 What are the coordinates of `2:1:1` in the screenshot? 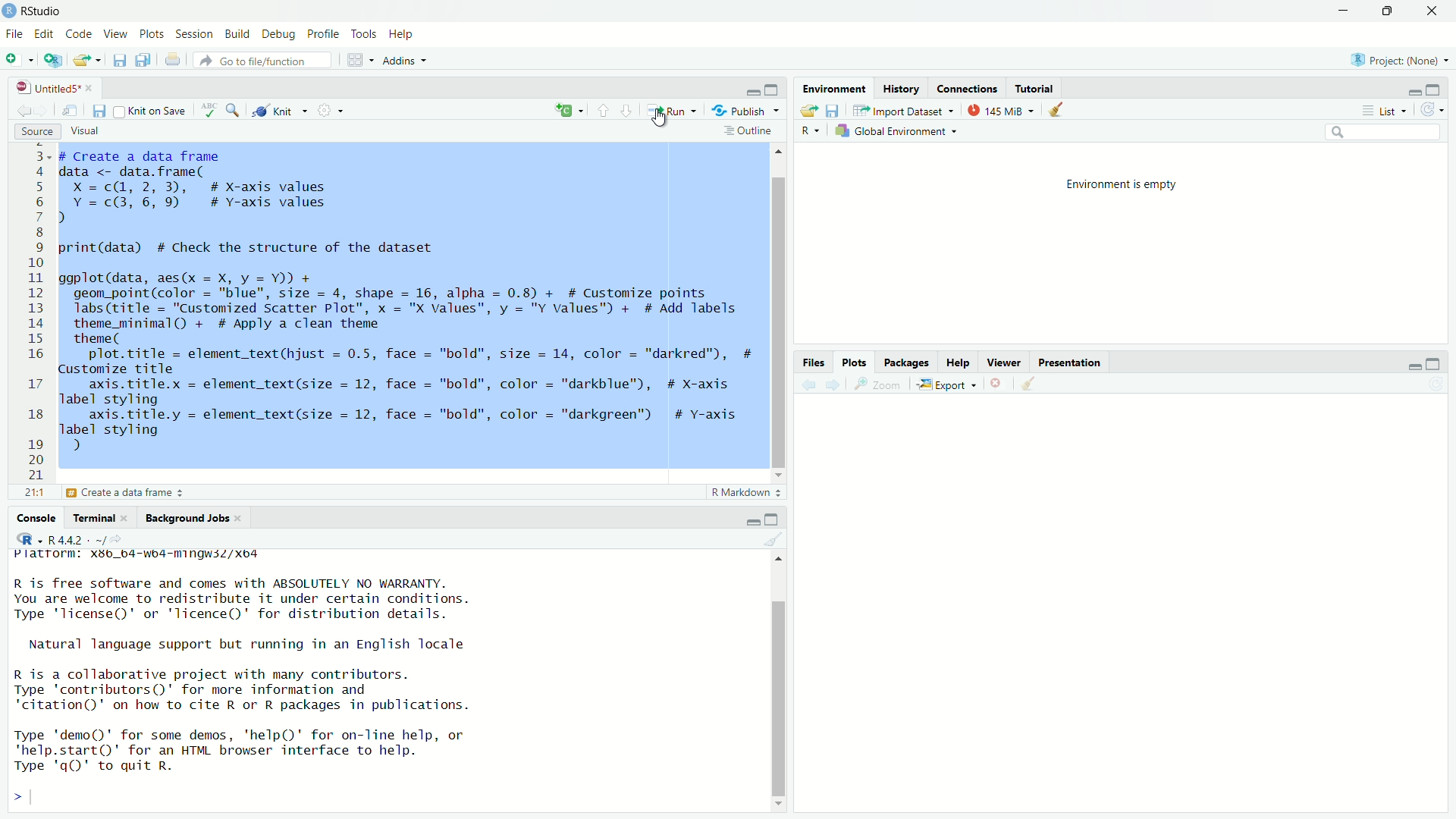 It's located at (31, 493).